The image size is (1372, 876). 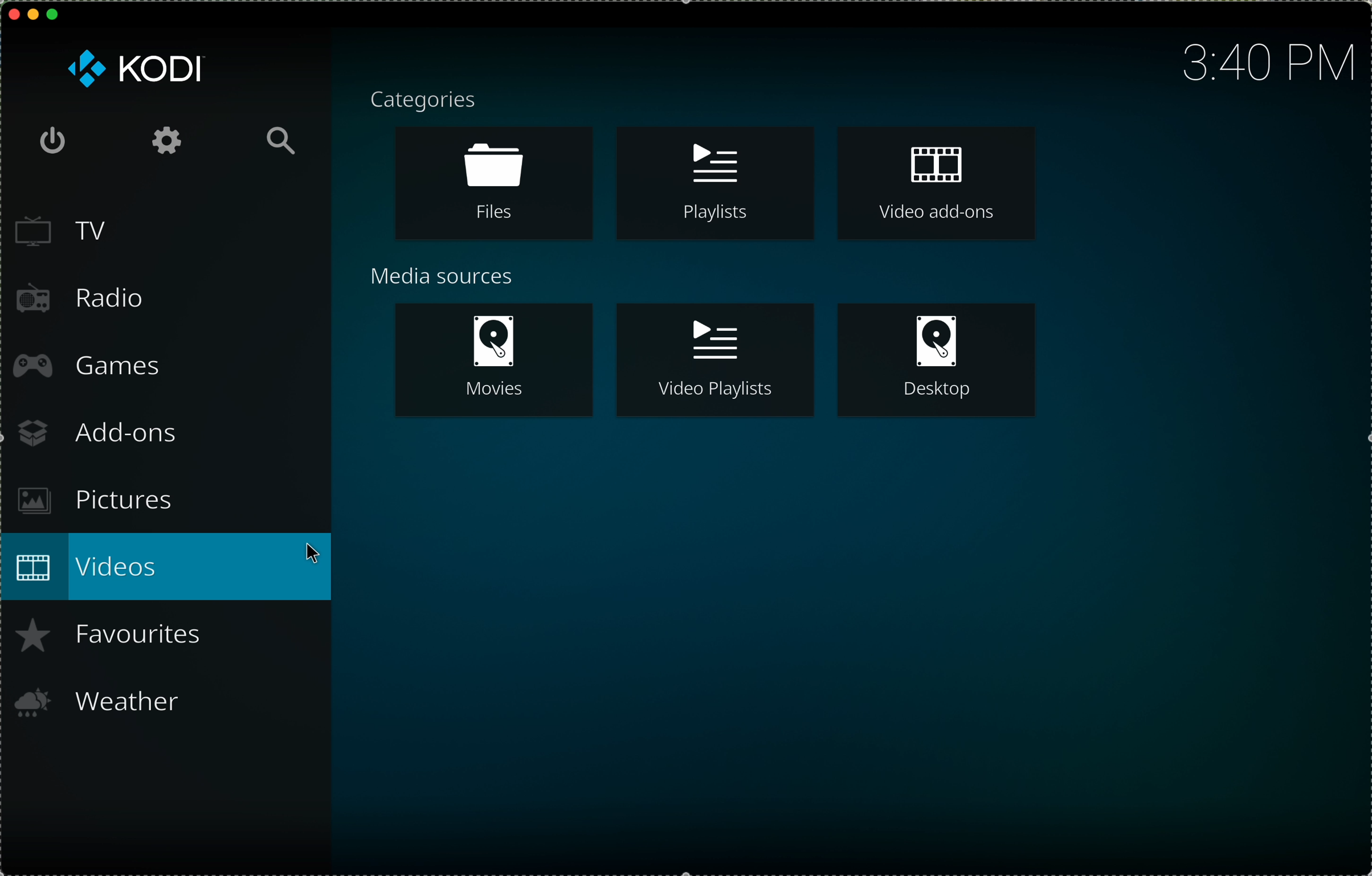 I want to click on close, so click(x=15, y=14).